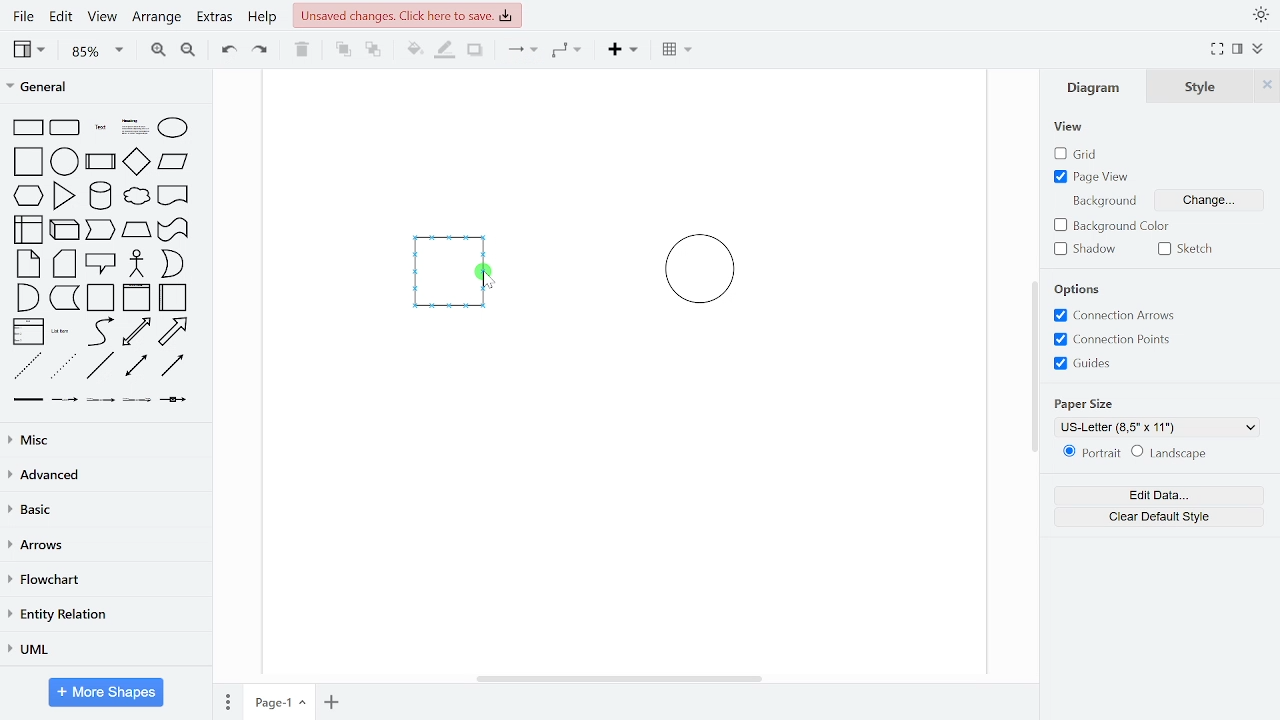 The image size is (1280, 720). What do you see at coordinates (1206, 203) in the screenshot?
I see `change background` at bounding box center [1206, 203].